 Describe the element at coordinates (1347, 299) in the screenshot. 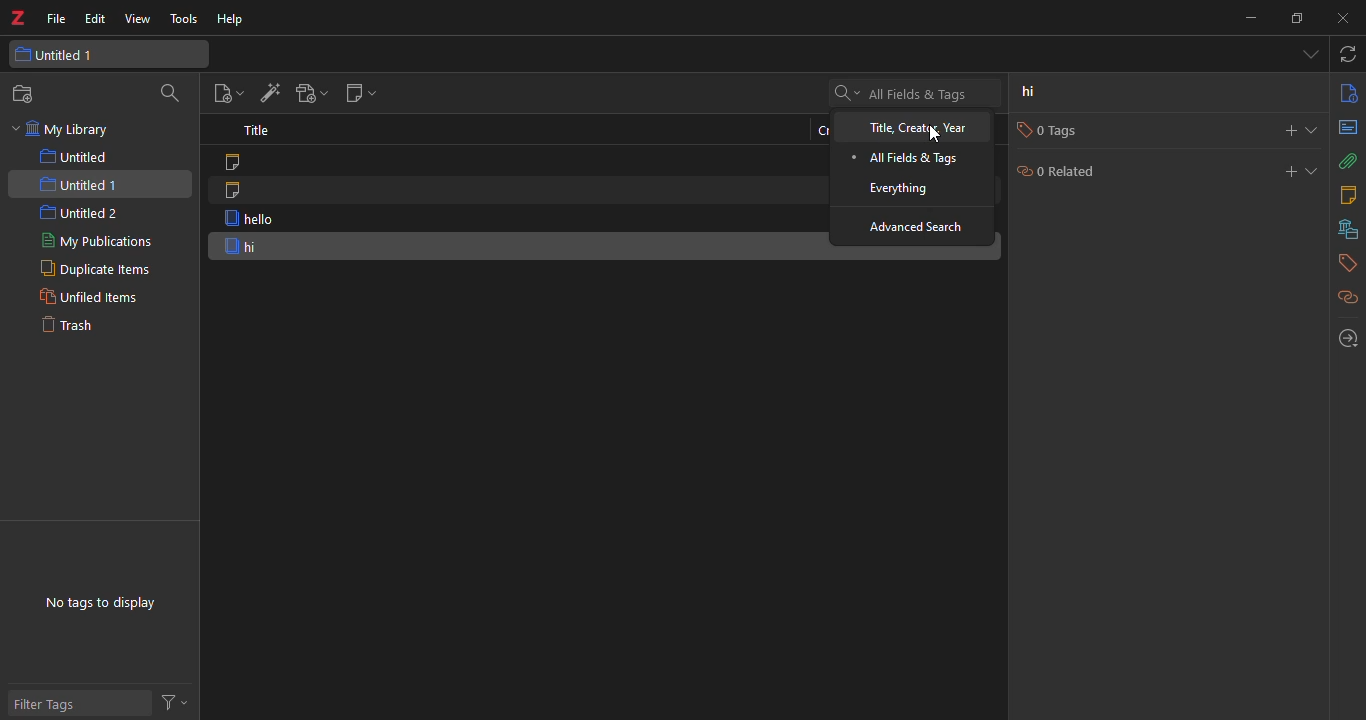

I see `related` at that location.